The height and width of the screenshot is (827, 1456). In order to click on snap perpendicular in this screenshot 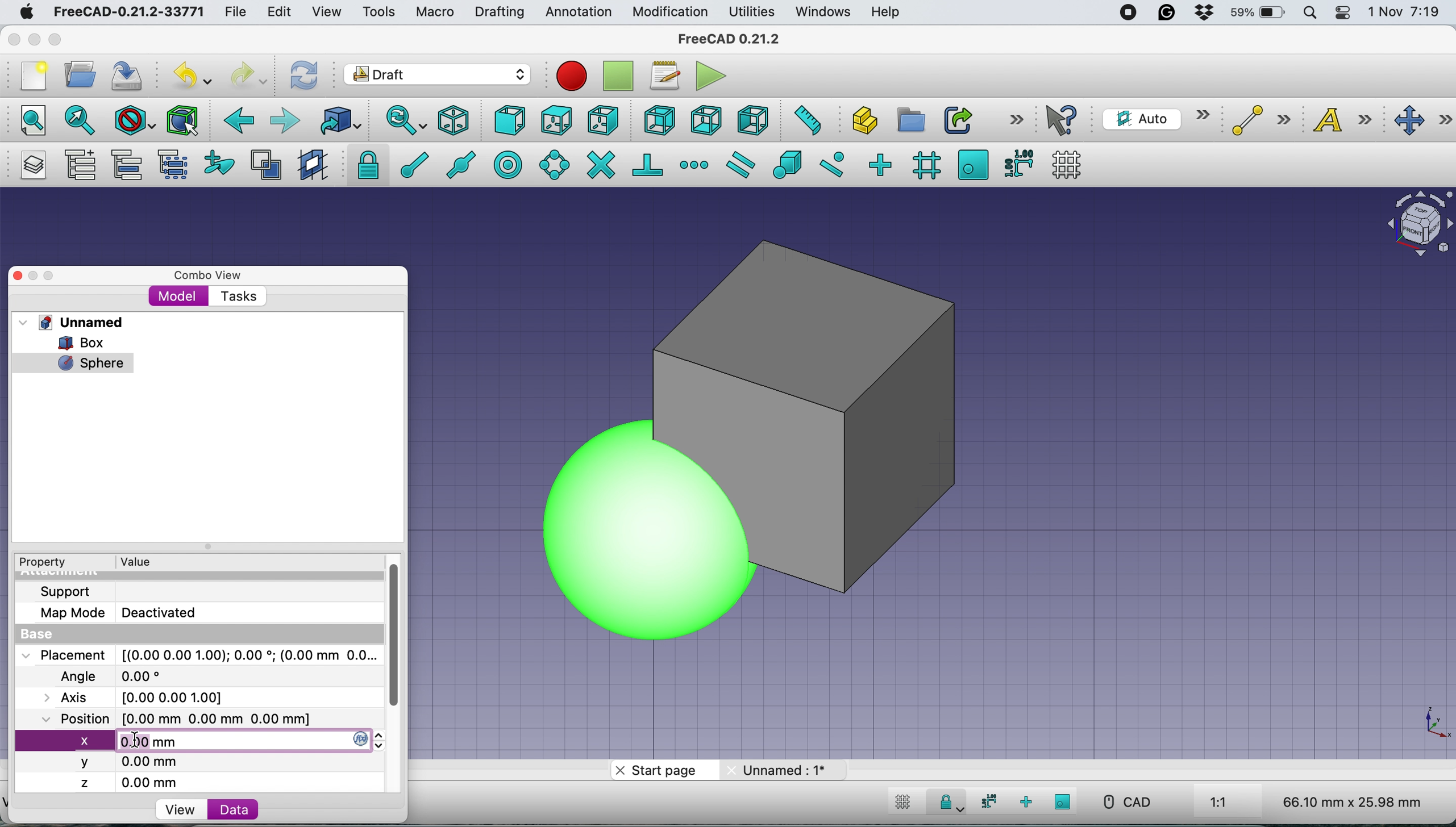, I will do `click(649, 164)`.